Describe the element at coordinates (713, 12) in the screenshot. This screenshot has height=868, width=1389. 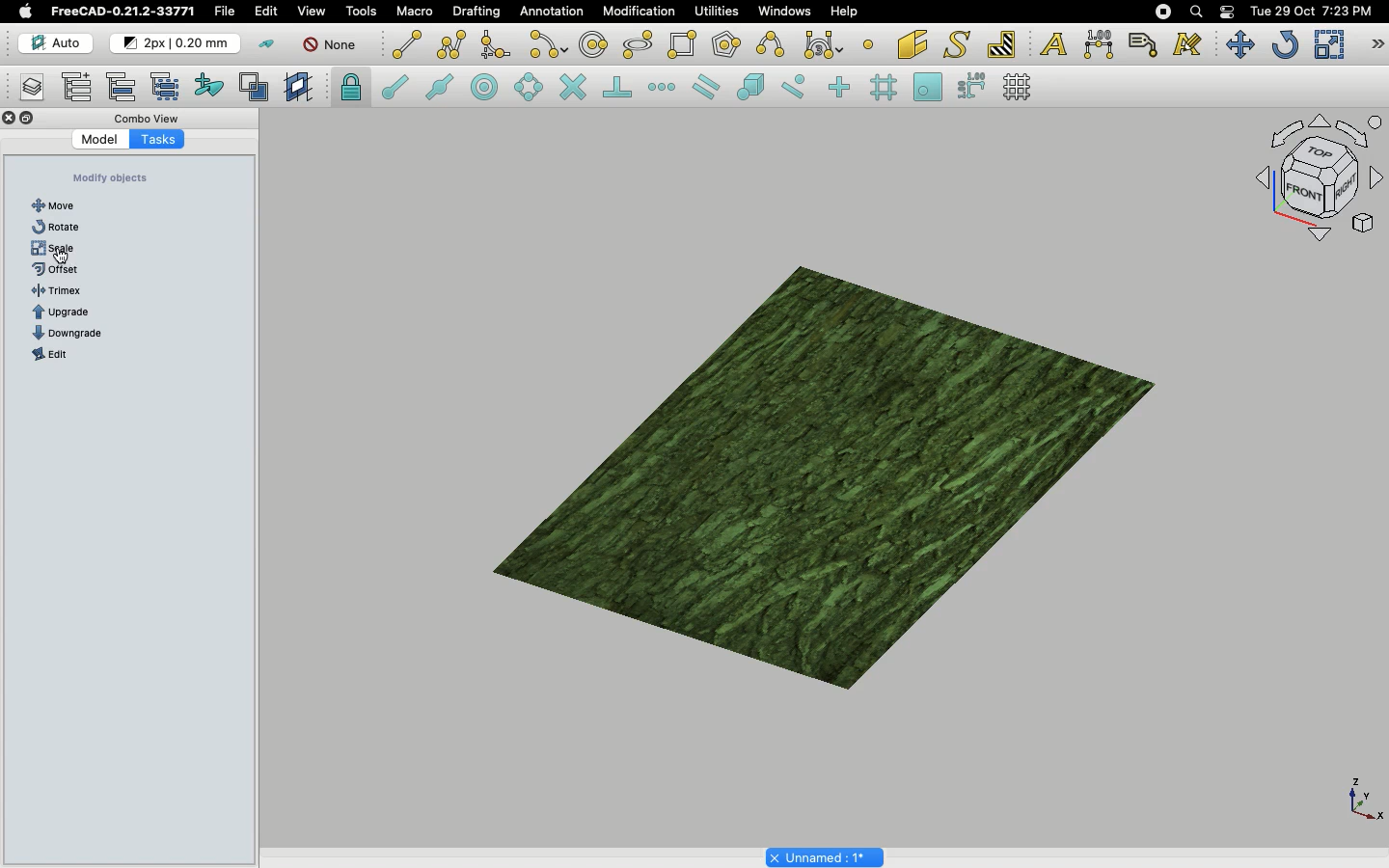
I see `Utilities` at that location.